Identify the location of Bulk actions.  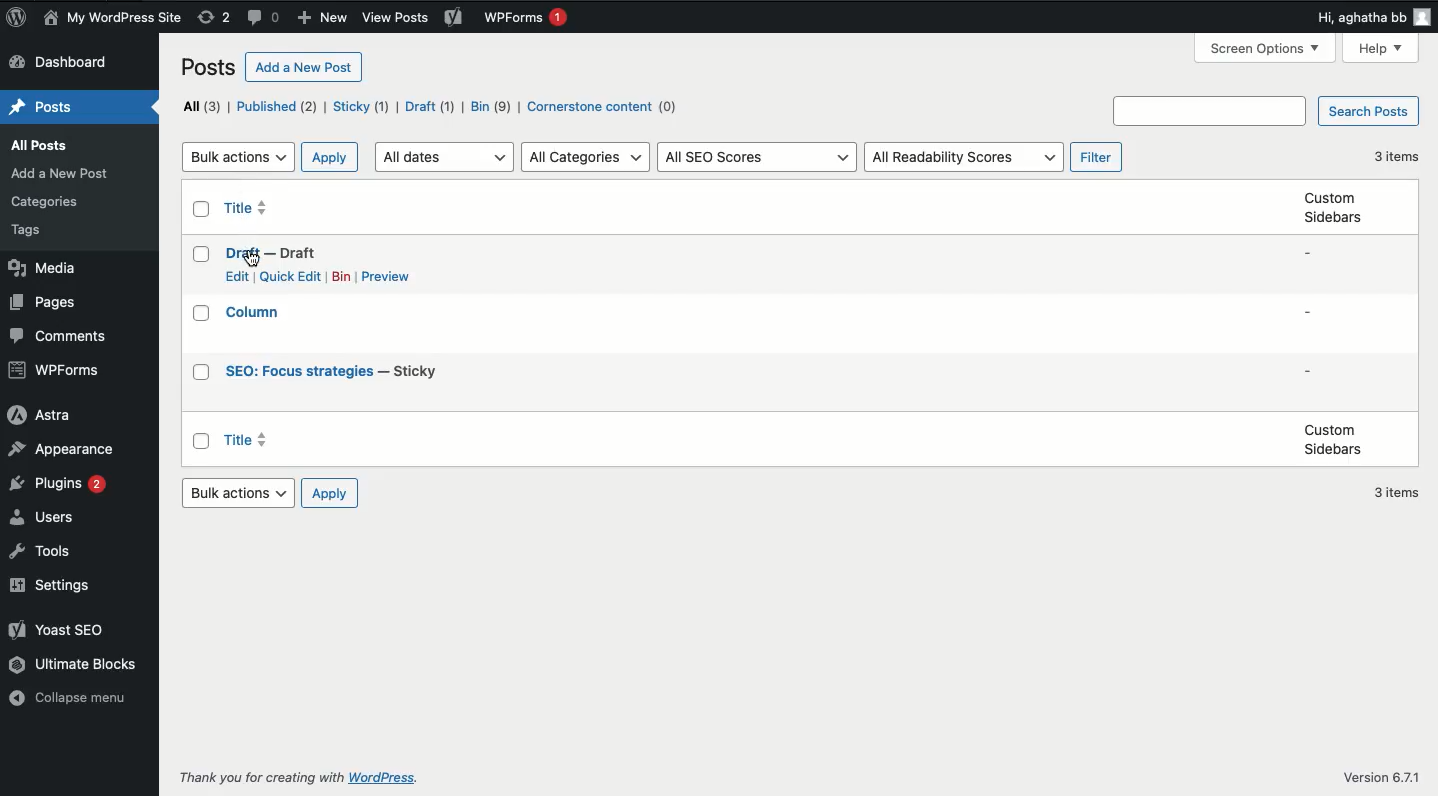
(241, 493).